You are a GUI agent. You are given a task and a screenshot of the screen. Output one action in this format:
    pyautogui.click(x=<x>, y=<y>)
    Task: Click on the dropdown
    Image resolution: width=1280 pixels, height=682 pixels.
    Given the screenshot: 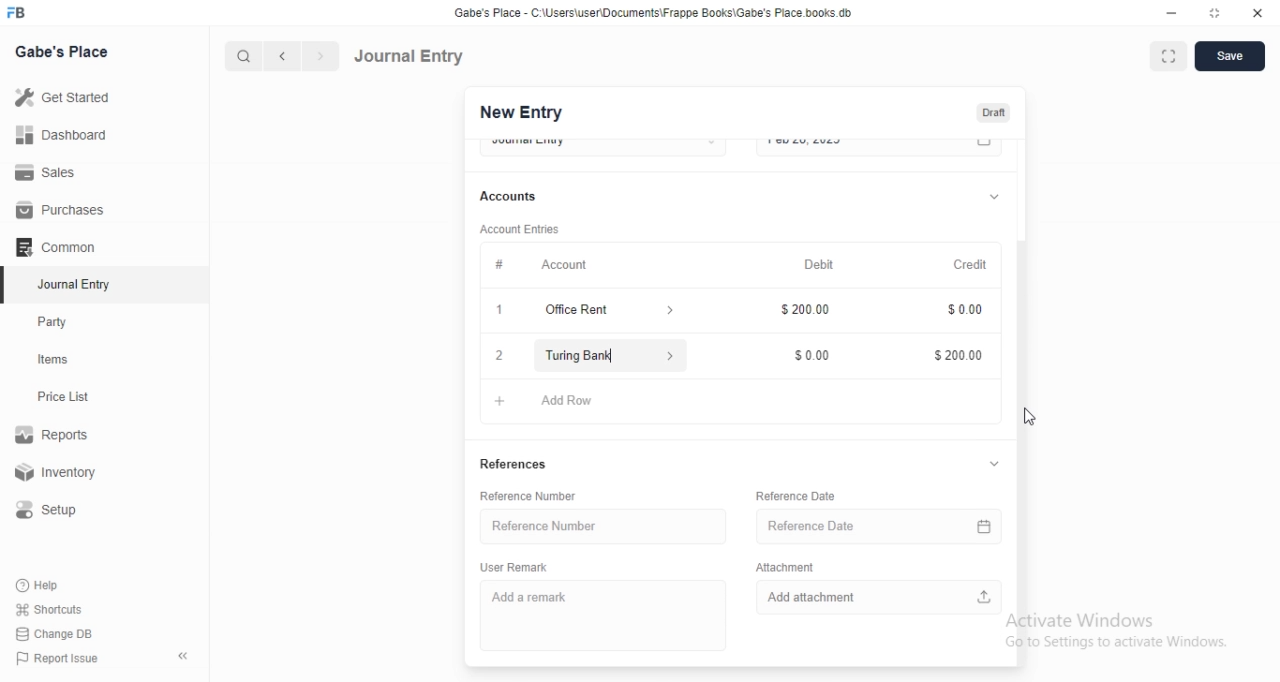 What is the action you would take?
    pyautogui.click(x=992, y=195)
    